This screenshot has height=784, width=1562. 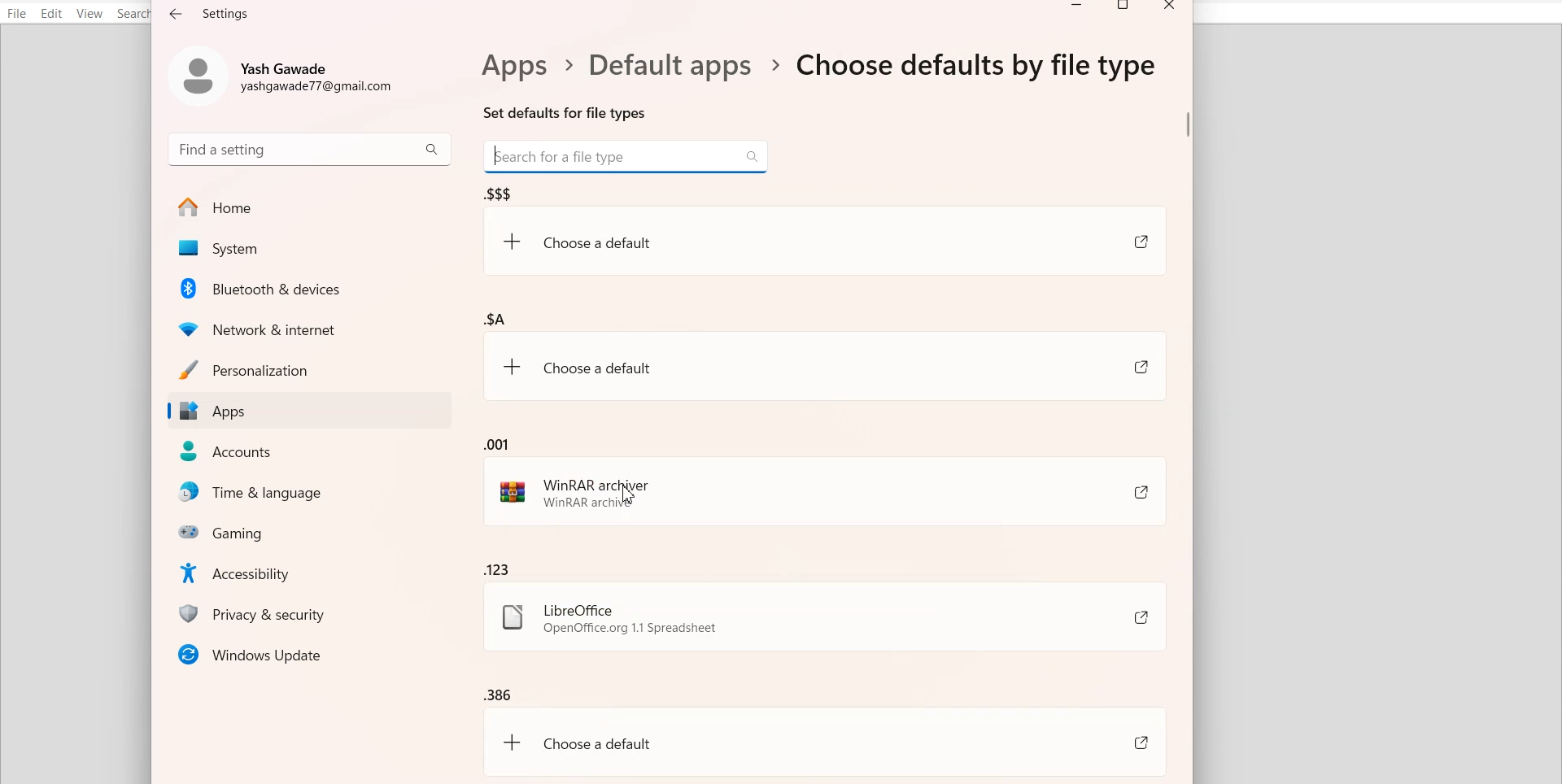 What do you see at coordinates (287, 73) in the screenshot?
I see `Account` at bounding box center [287, 73].